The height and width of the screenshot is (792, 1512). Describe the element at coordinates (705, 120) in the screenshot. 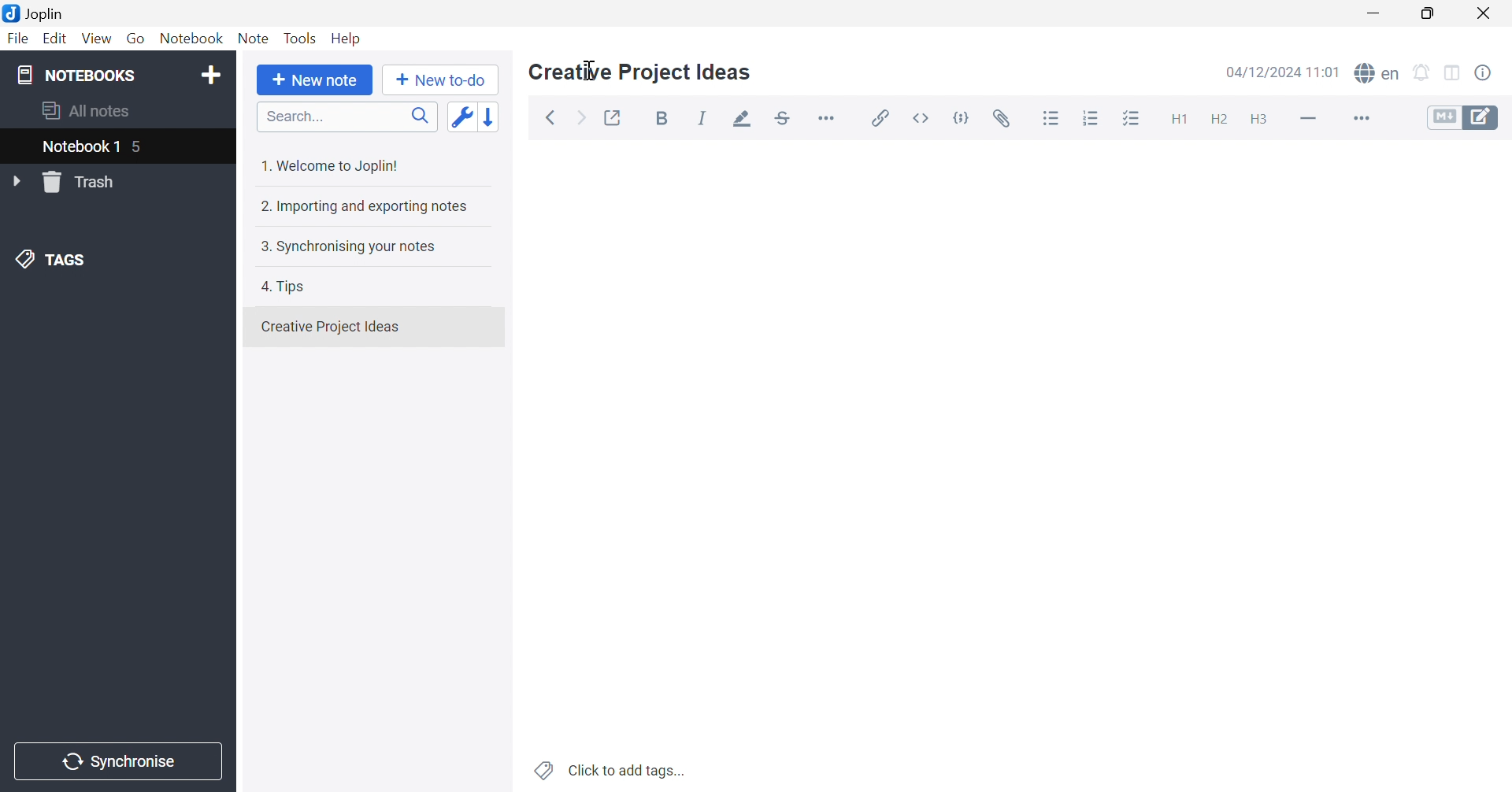

I see `Italic` at that location.